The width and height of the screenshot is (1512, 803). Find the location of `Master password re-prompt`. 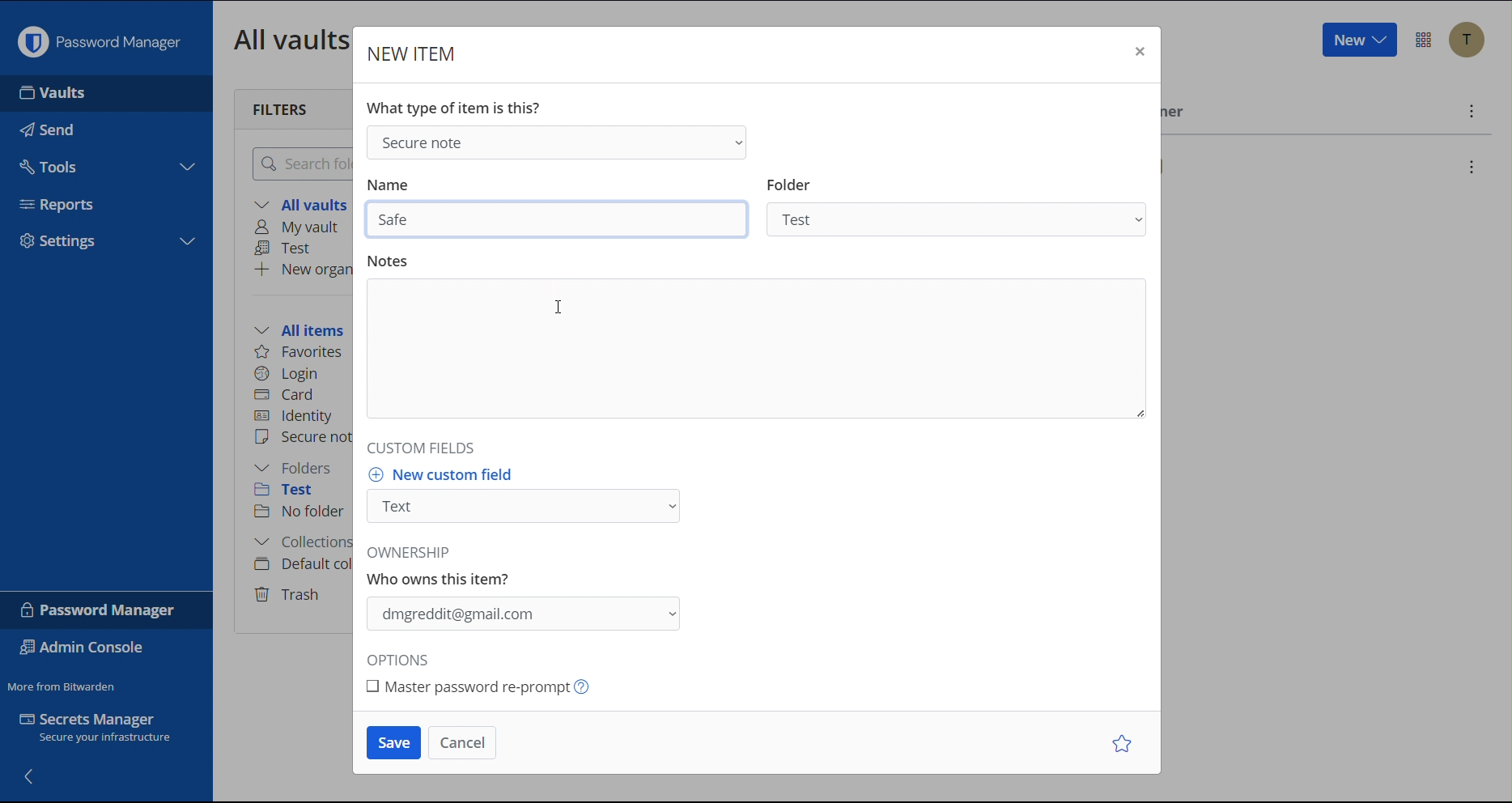

Master password re-prompt is located at coordinates (499, 687).